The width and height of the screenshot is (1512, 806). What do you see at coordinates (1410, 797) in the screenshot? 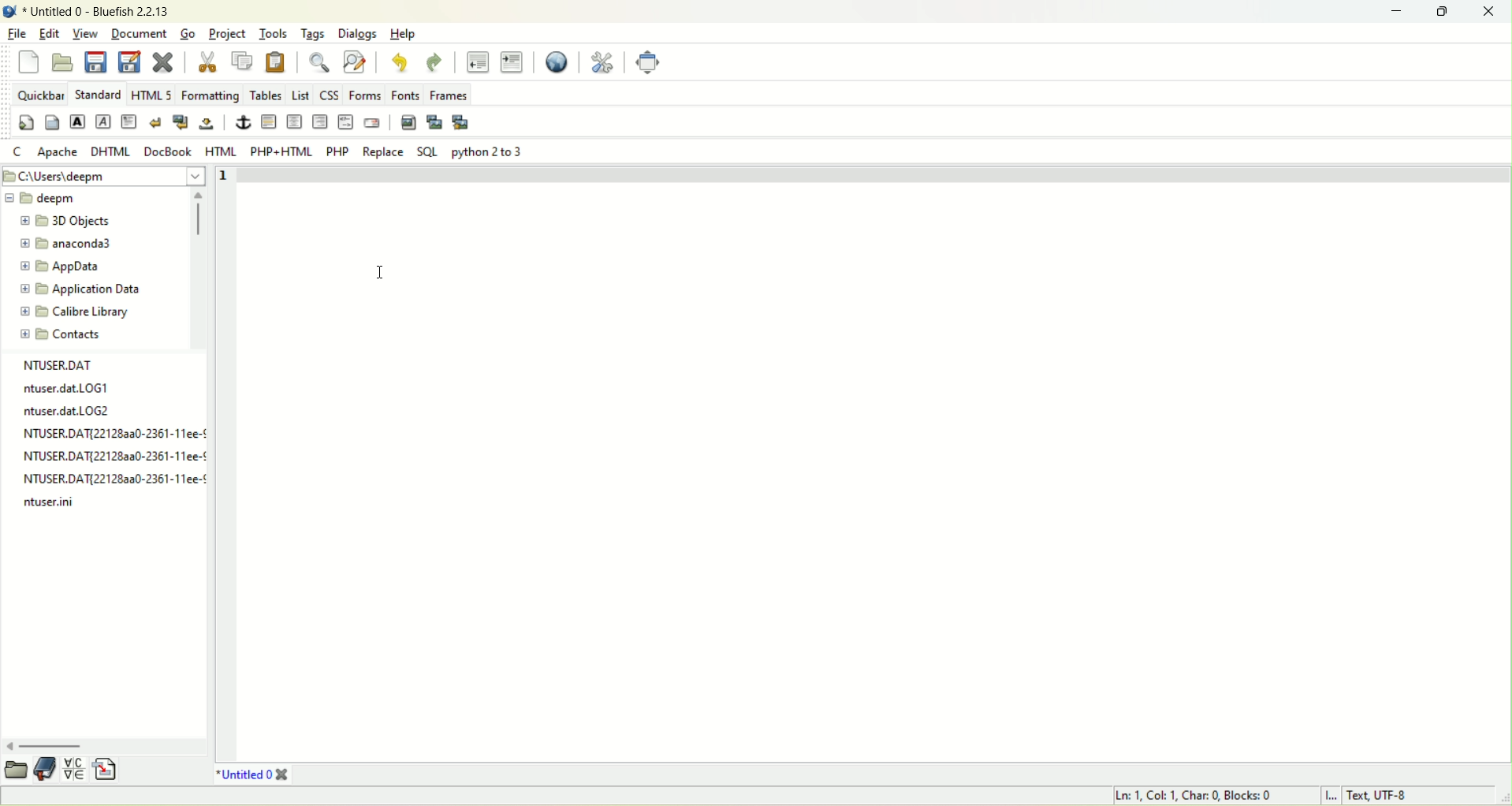
I see `character encoding` at bounding box center [1410, 797].